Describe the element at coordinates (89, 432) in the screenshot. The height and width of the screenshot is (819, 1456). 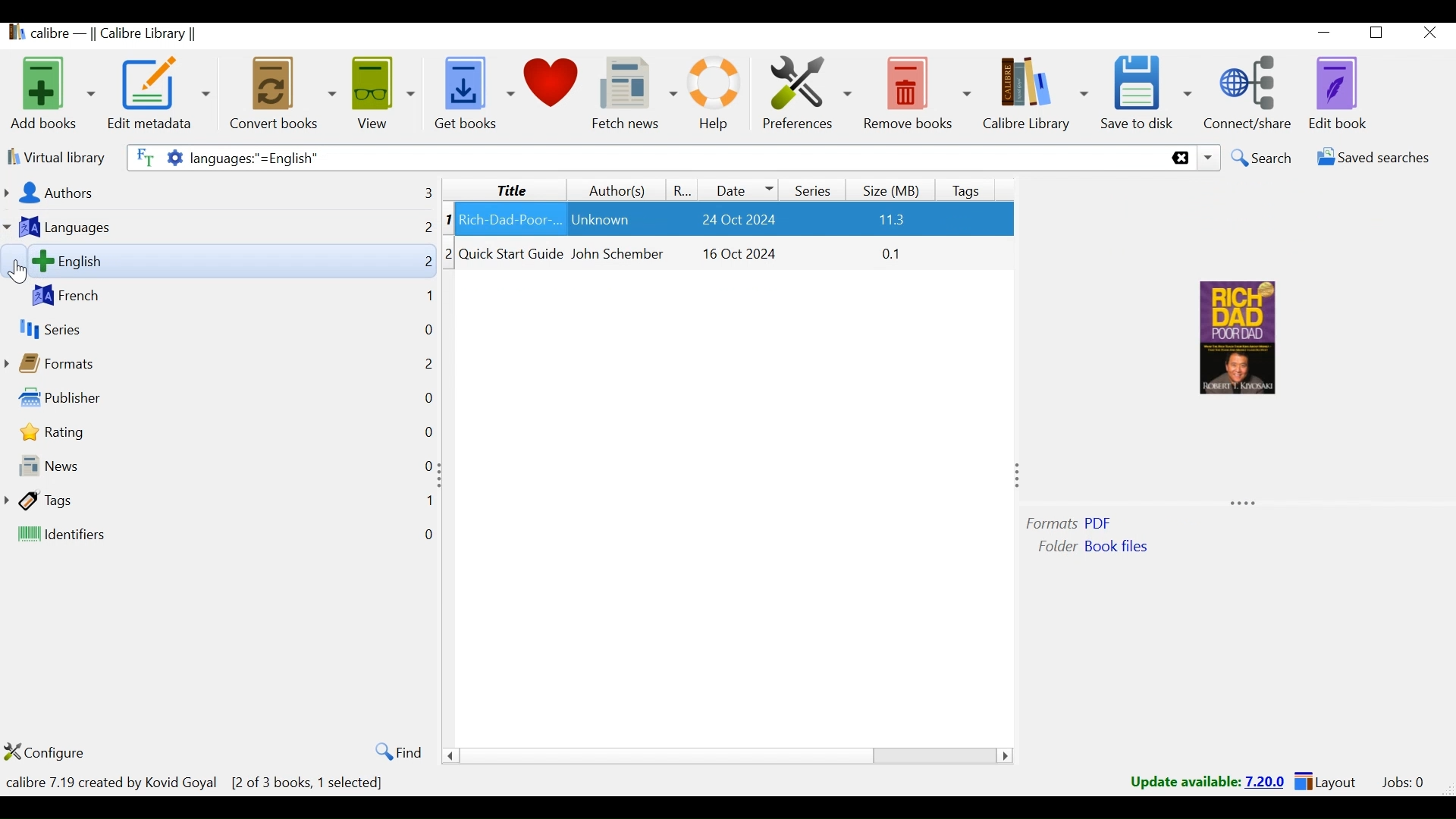
I see `Rating` at that location.